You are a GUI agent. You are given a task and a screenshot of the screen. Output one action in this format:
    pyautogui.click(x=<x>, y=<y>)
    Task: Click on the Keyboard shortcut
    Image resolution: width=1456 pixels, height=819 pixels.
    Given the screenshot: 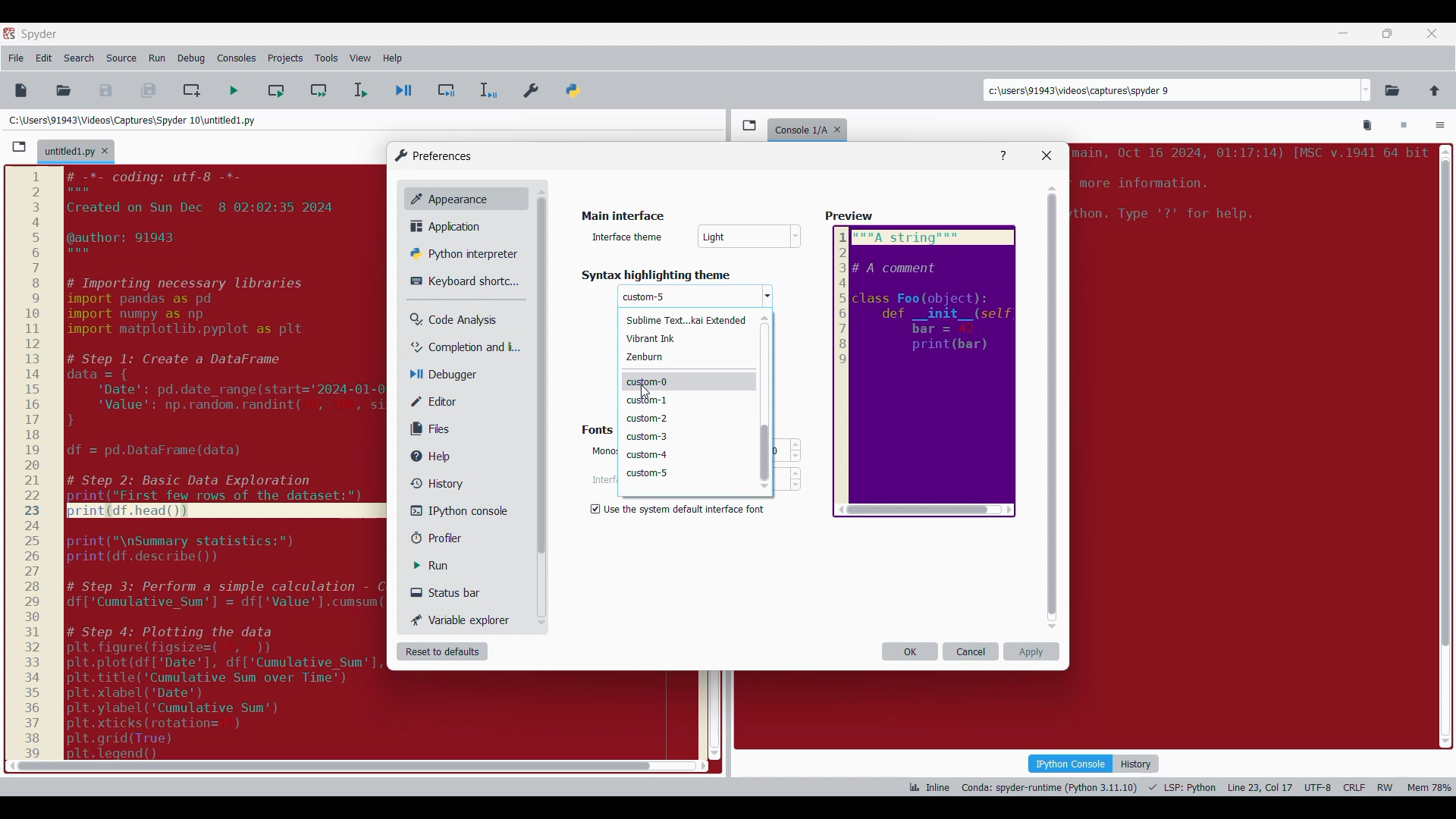 What is the action you would take?
    pyautogui.click(x=459, y=281)
    